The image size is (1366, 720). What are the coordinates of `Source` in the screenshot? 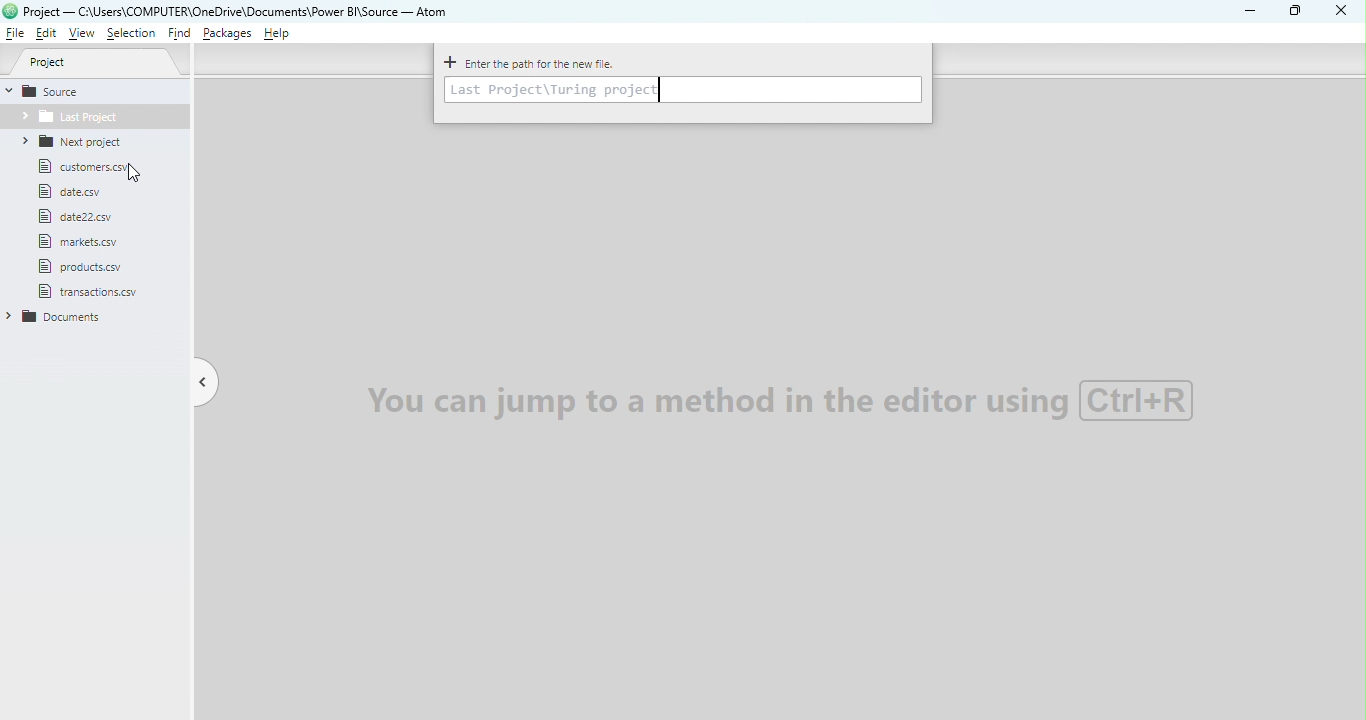 It's located at (59, 92).